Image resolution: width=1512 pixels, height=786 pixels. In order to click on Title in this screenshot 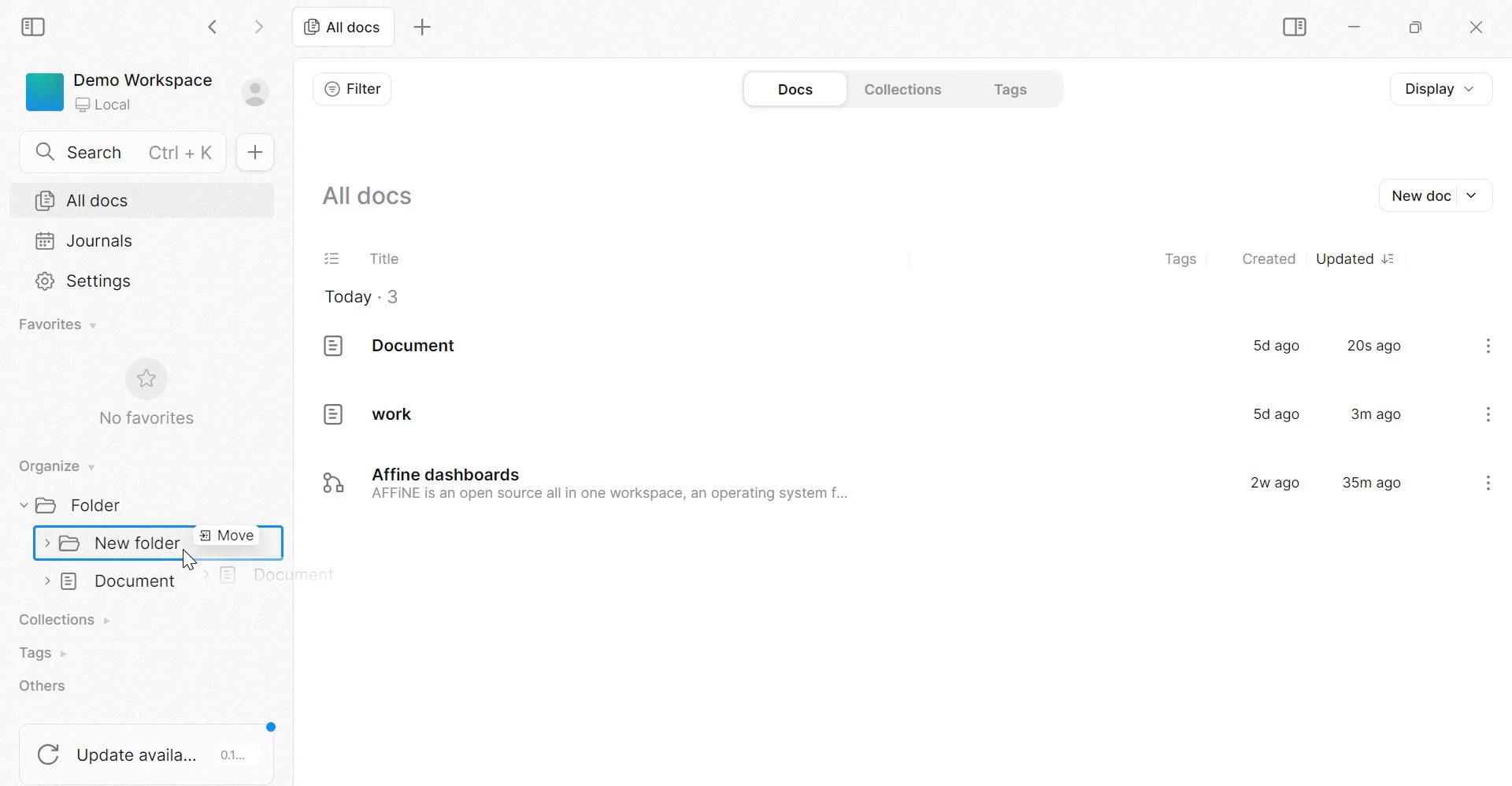, I will do `click(384, 257)`.